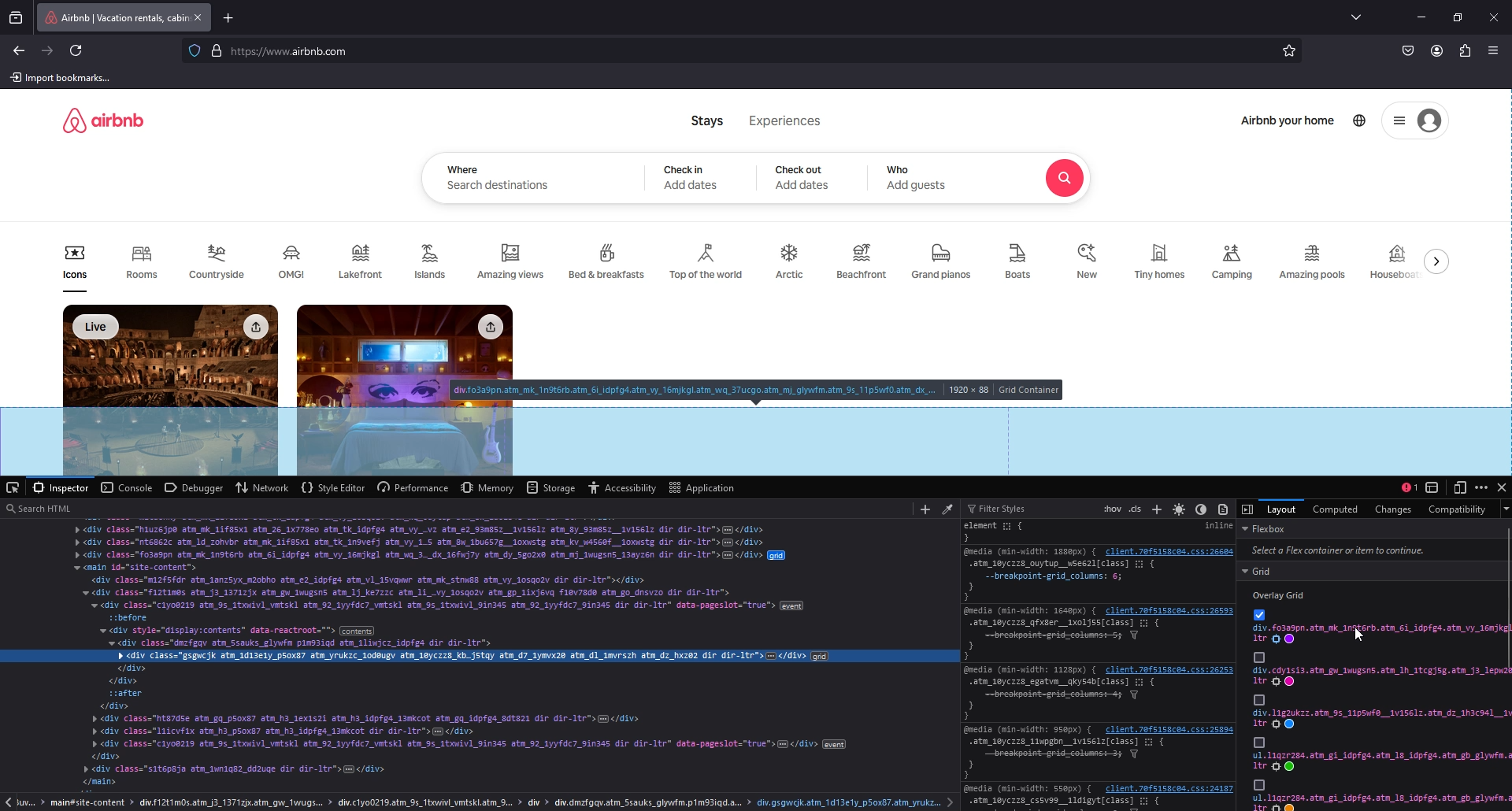 This screenshot has height=811, width=1512. What do you see at coordinates (480, 657) in the screenshot?
I see `code` at bounding box center [480, 657].